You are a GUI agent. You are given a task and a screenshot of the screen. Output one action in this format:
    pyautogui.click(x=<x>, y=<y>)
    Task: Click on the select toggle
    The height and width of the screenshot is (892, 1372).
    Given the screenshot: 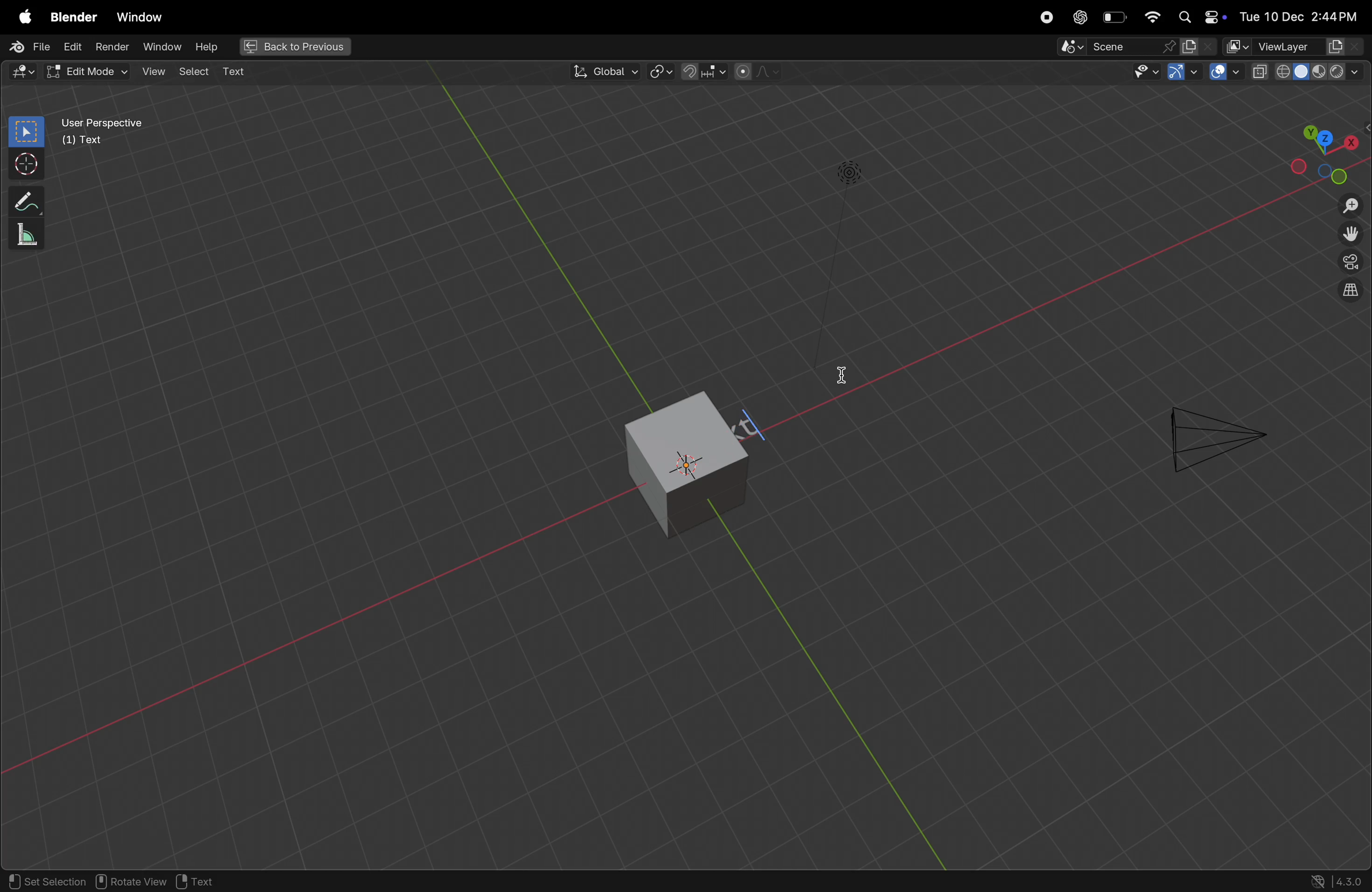 What is the action you would take?
    pyautogui.click(x=46, y=882)
    